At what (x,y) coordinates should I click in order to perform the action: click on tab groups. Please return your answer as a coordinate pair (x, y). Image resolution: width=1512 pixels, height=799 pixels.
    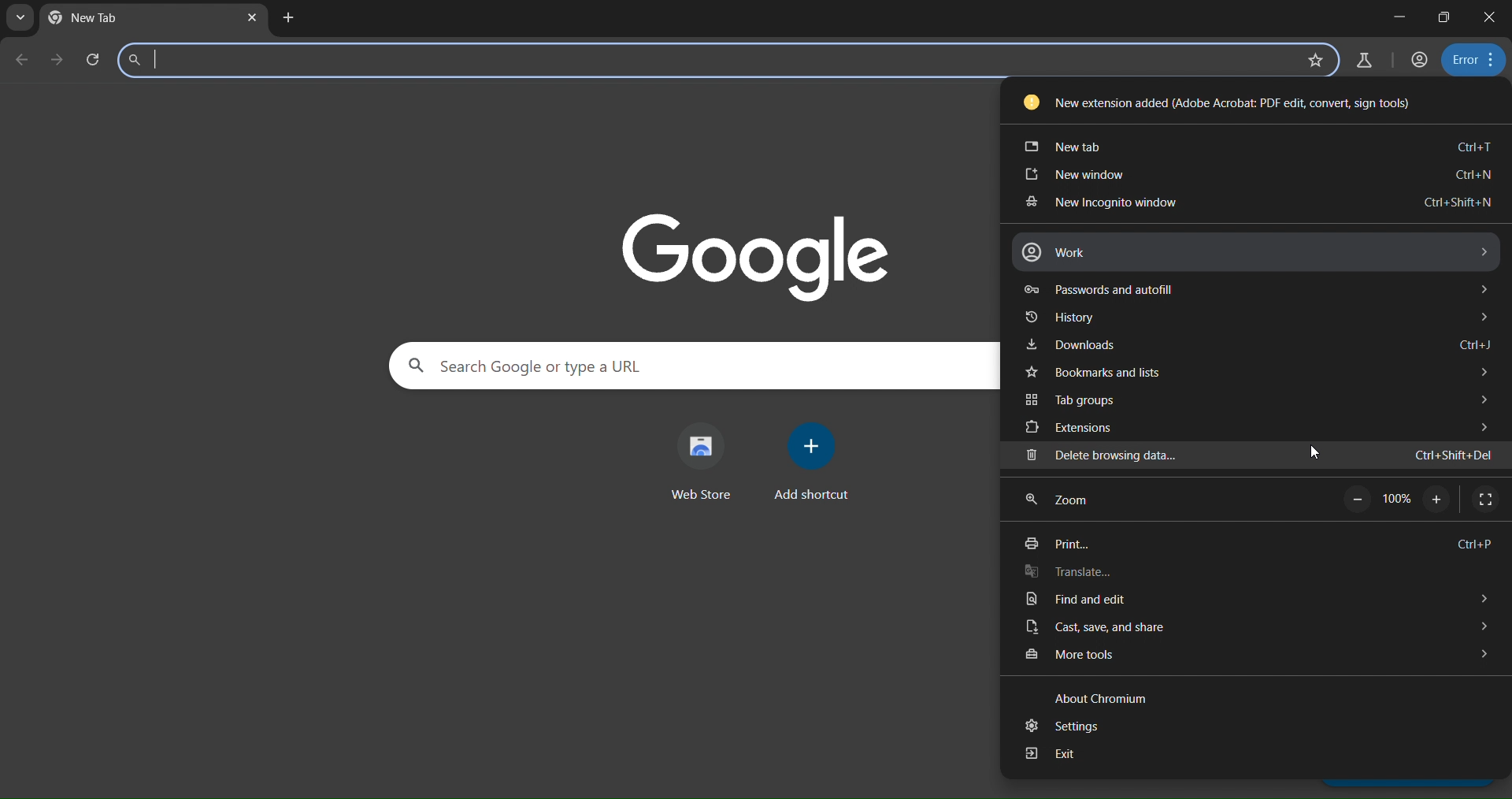
    Looking at the image, I should click on (1256, 400).